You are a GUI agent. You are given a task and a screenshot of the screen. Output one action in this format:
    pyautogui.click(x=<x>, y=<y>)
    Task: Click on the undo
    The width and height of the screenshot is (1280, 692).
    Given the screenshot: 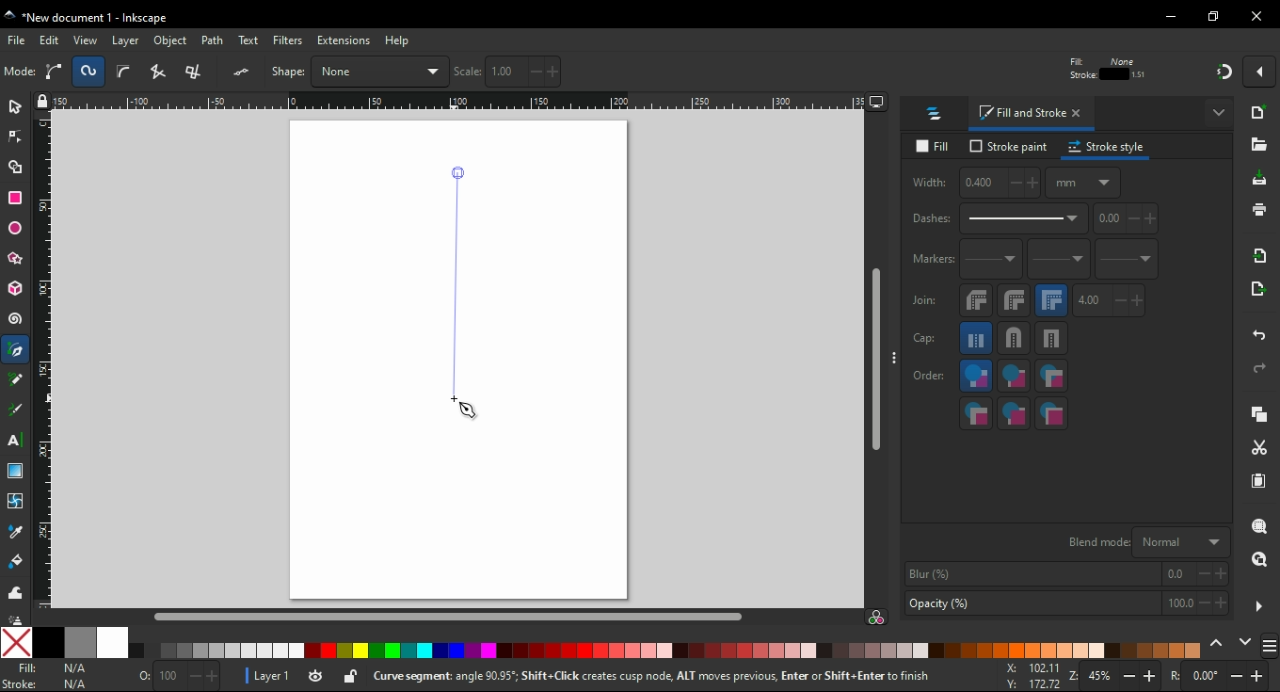 What is the action you would take?
    pyautogui.click(x=1261, y=332)
    